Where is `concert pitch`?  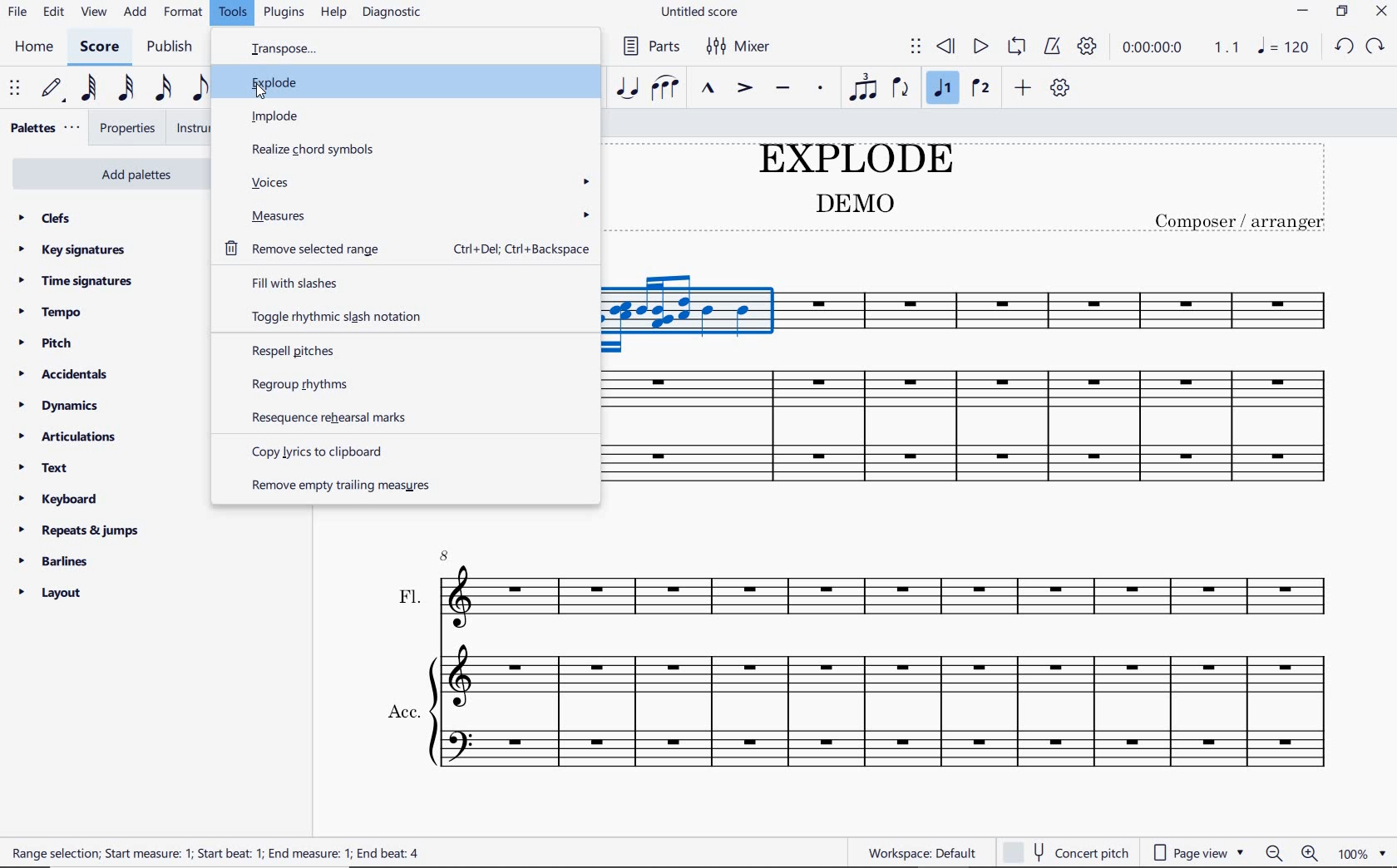 concert pitch is located at coordinates (1068, 849).